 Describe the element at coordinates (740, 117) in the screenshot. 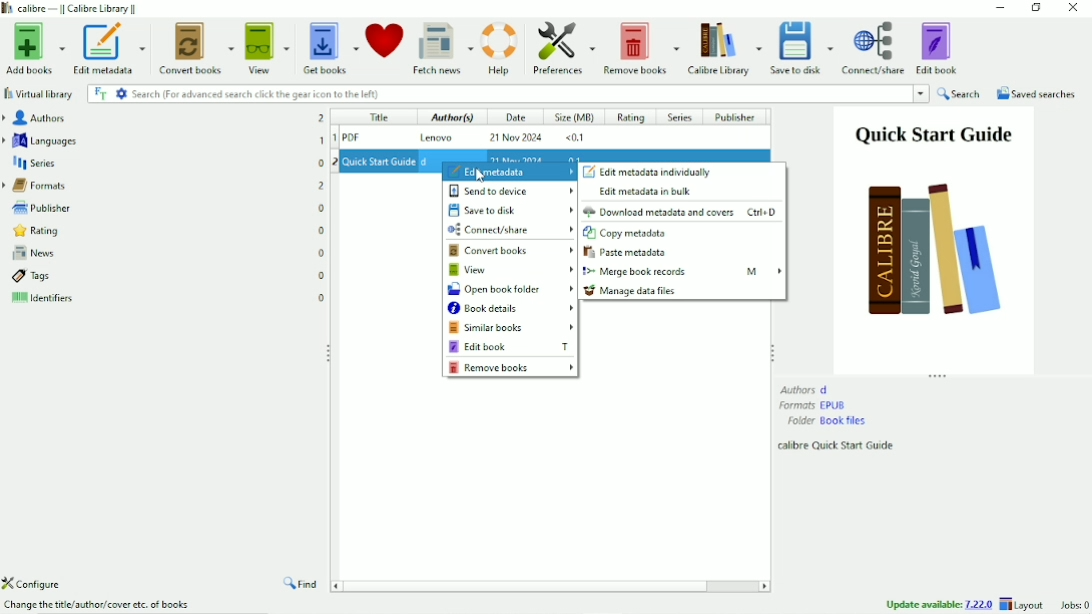

I see `Publisher` at that location.